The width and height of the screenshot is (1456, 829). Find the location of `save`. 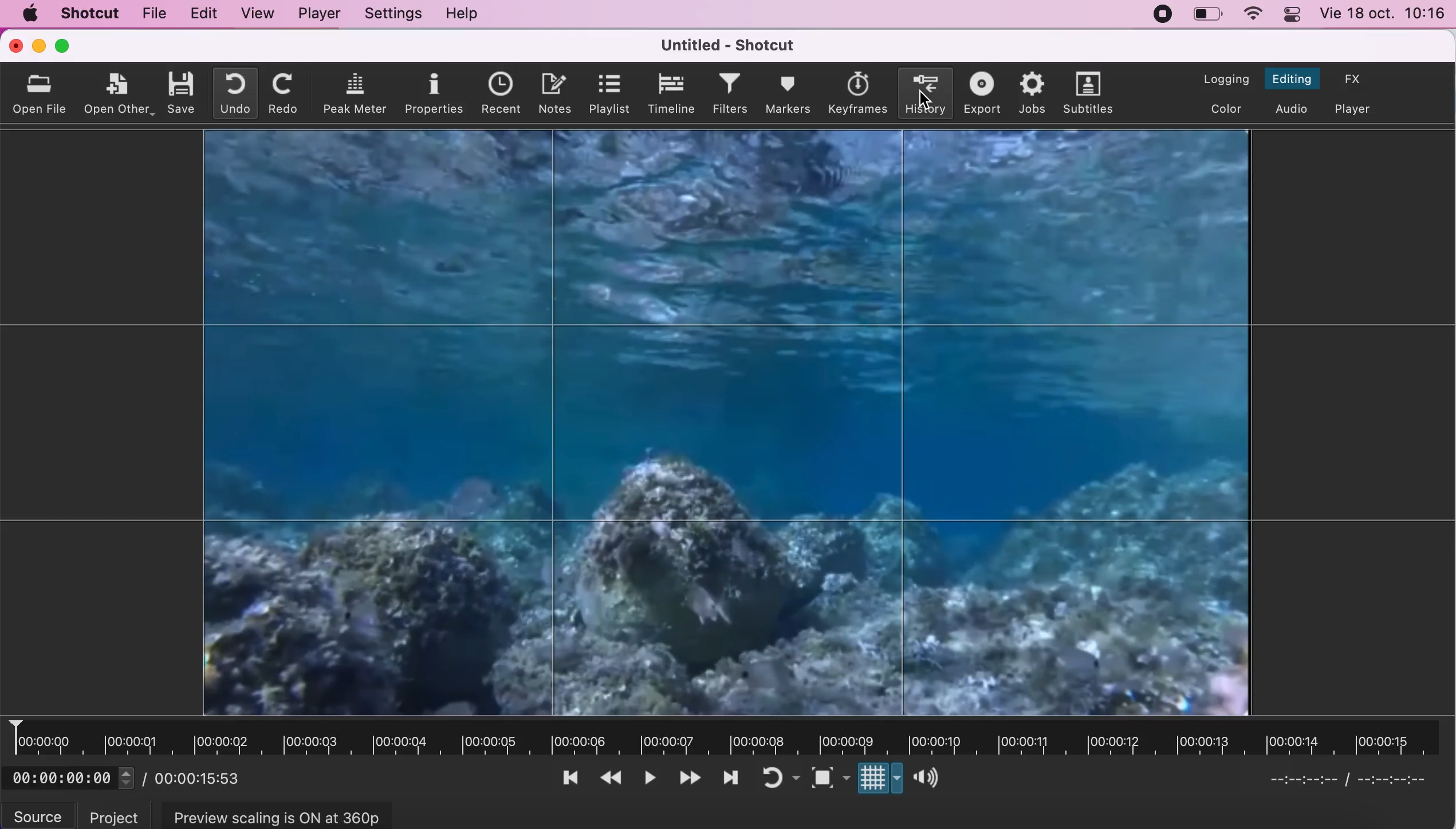

save is located at coordinates (182, 93).